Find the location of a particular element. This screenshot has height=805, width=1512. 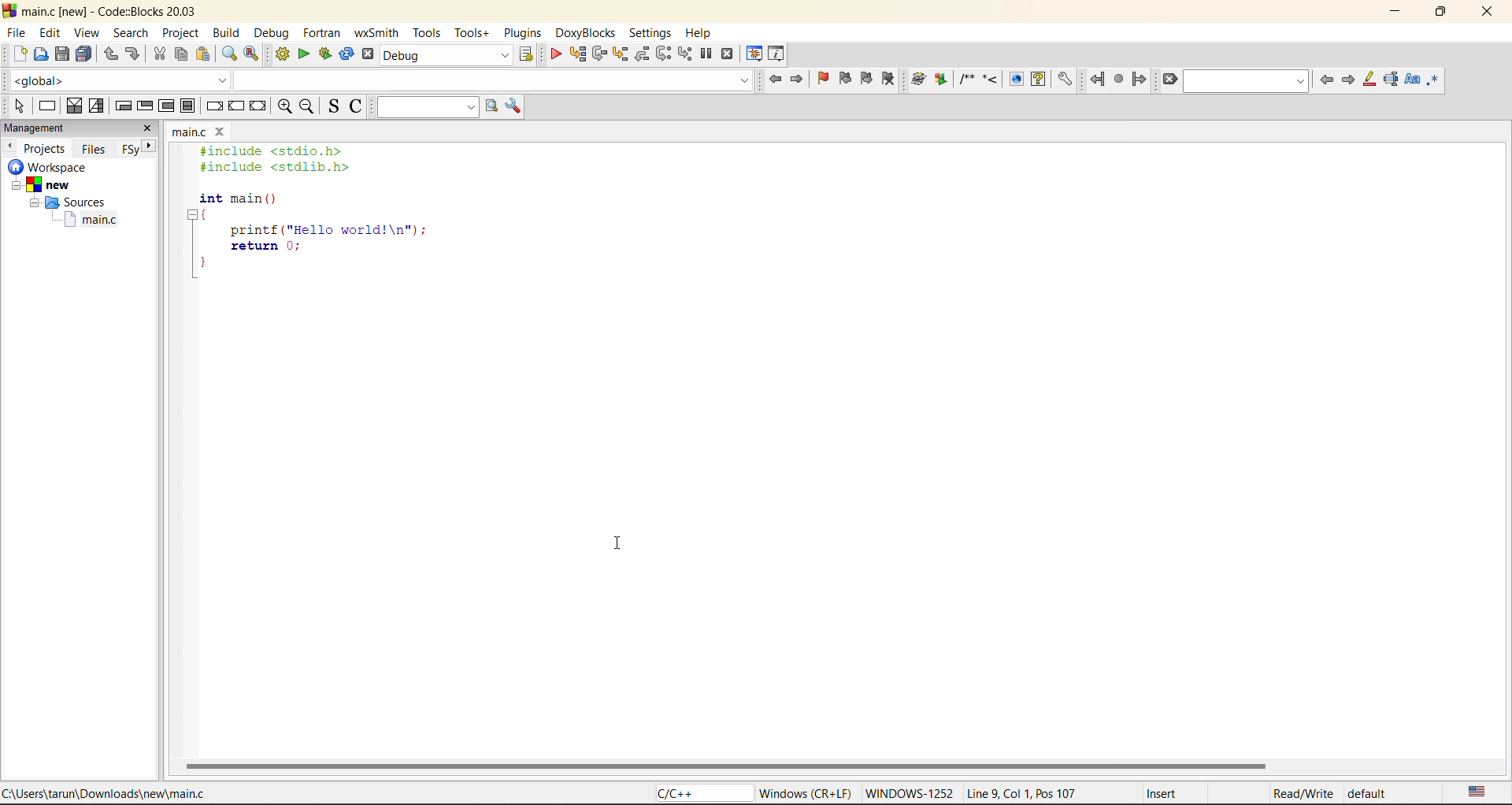

undo is located at coordinates (112, 56).